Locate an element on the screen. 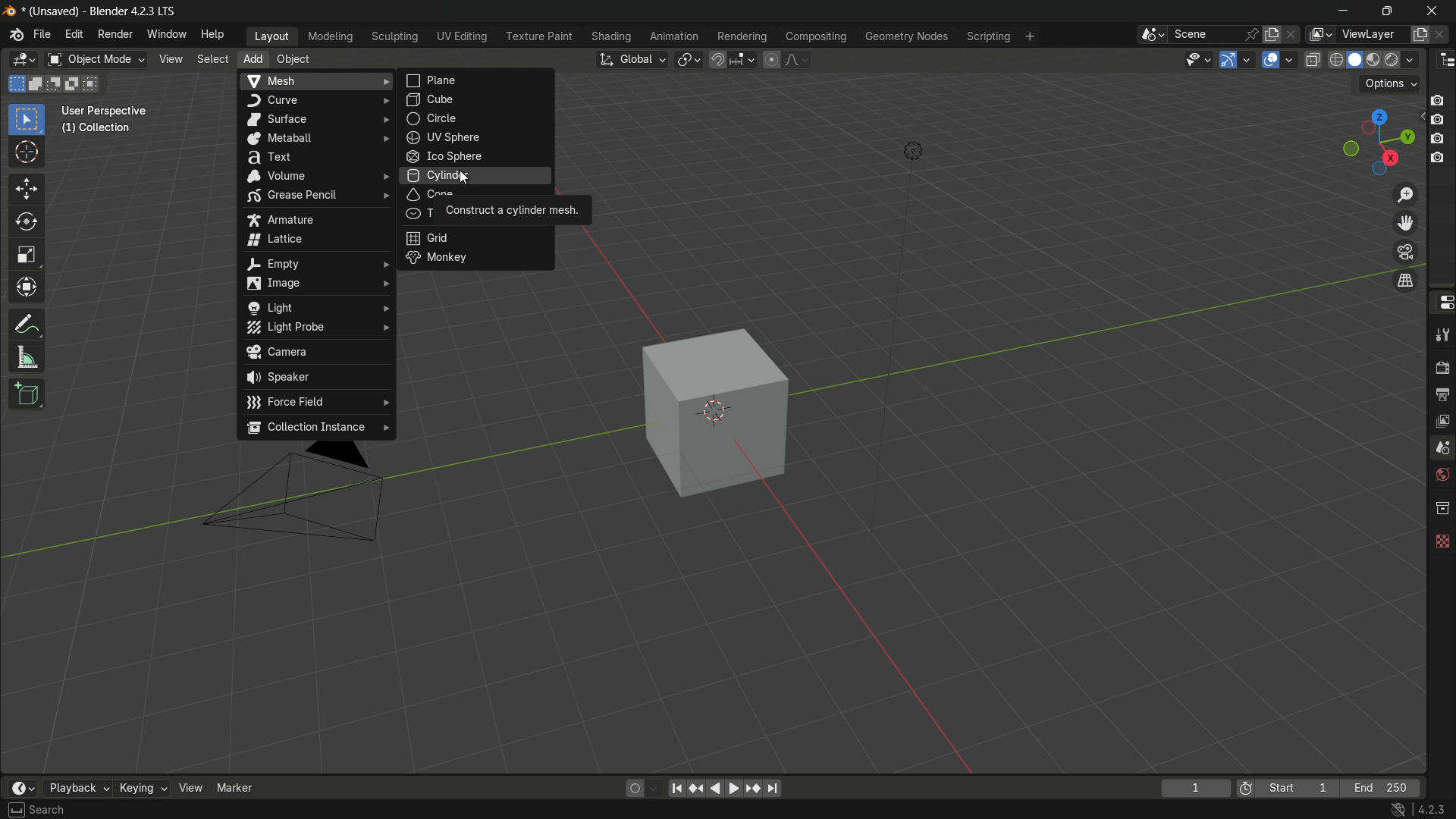 This screenshot has width=1456, height=819. browse scenes is located at coordinates (1151, 35).